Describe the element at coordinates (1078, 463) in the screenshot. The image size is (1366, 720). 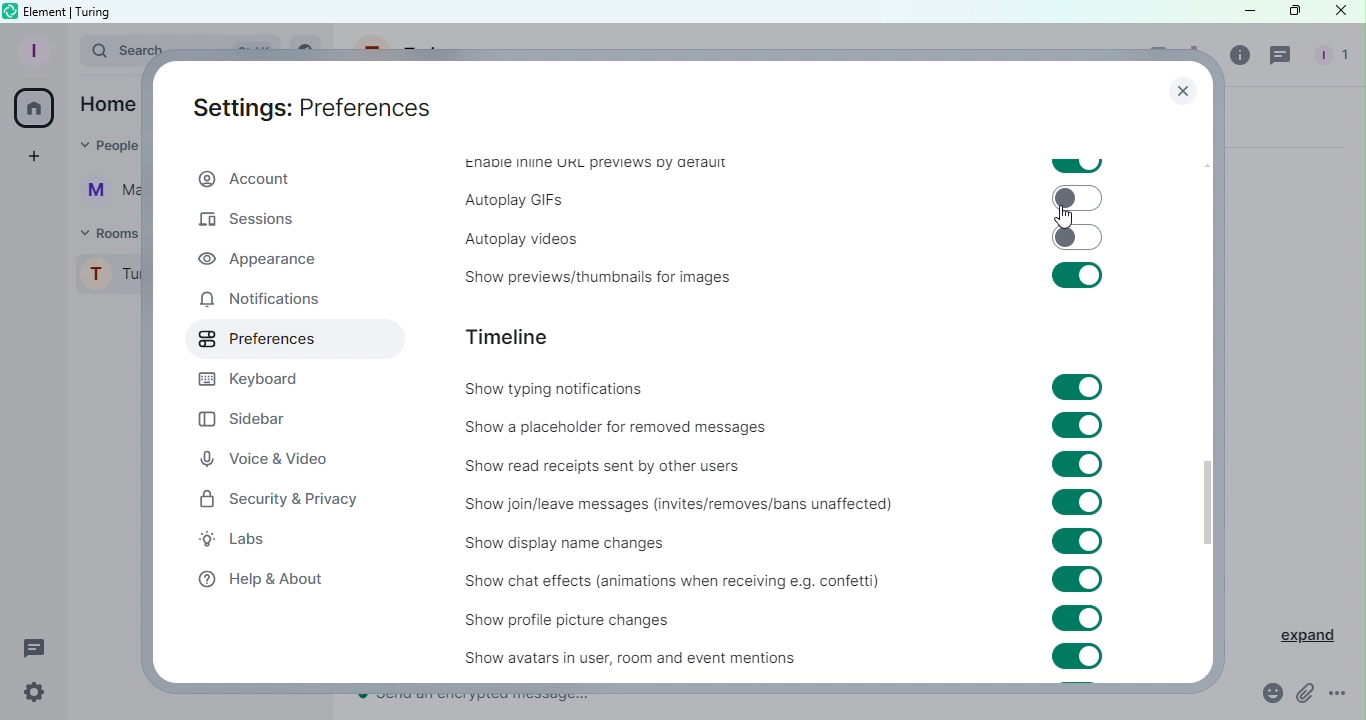
I see `Toggle` at that location.